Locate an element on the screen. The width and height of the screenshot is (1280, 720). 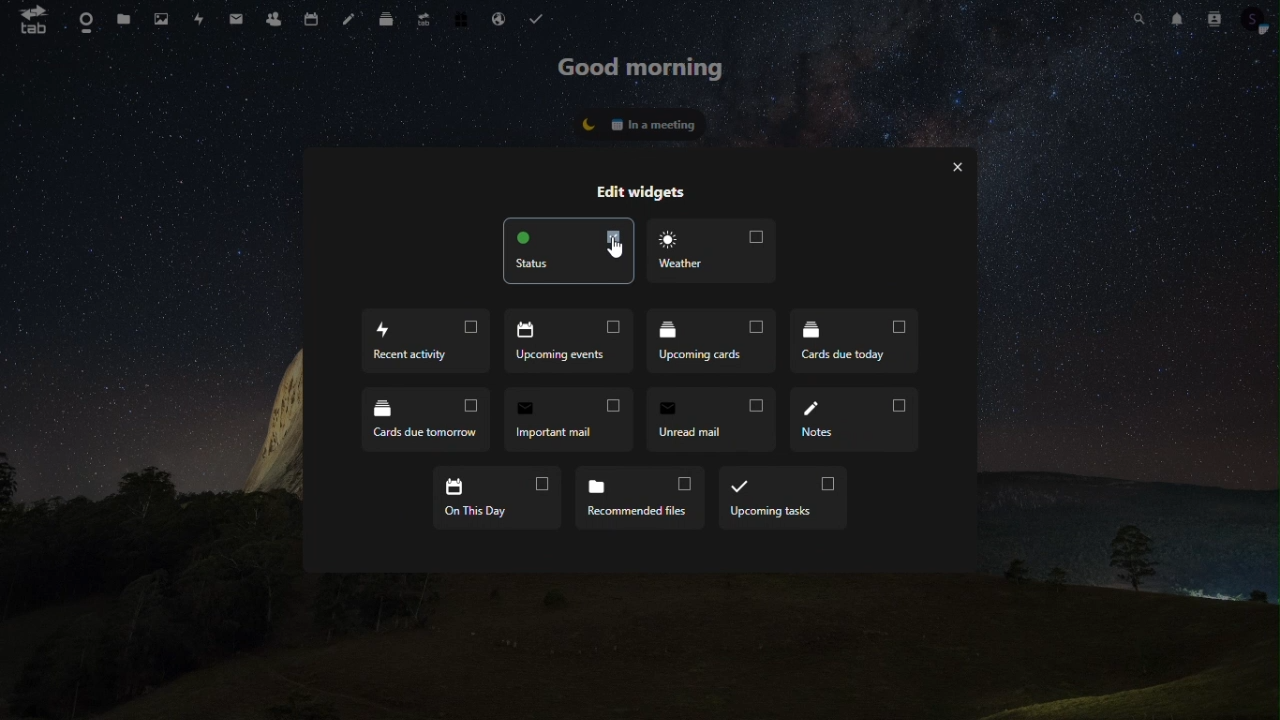
notes is located at coordinates (853, 420).